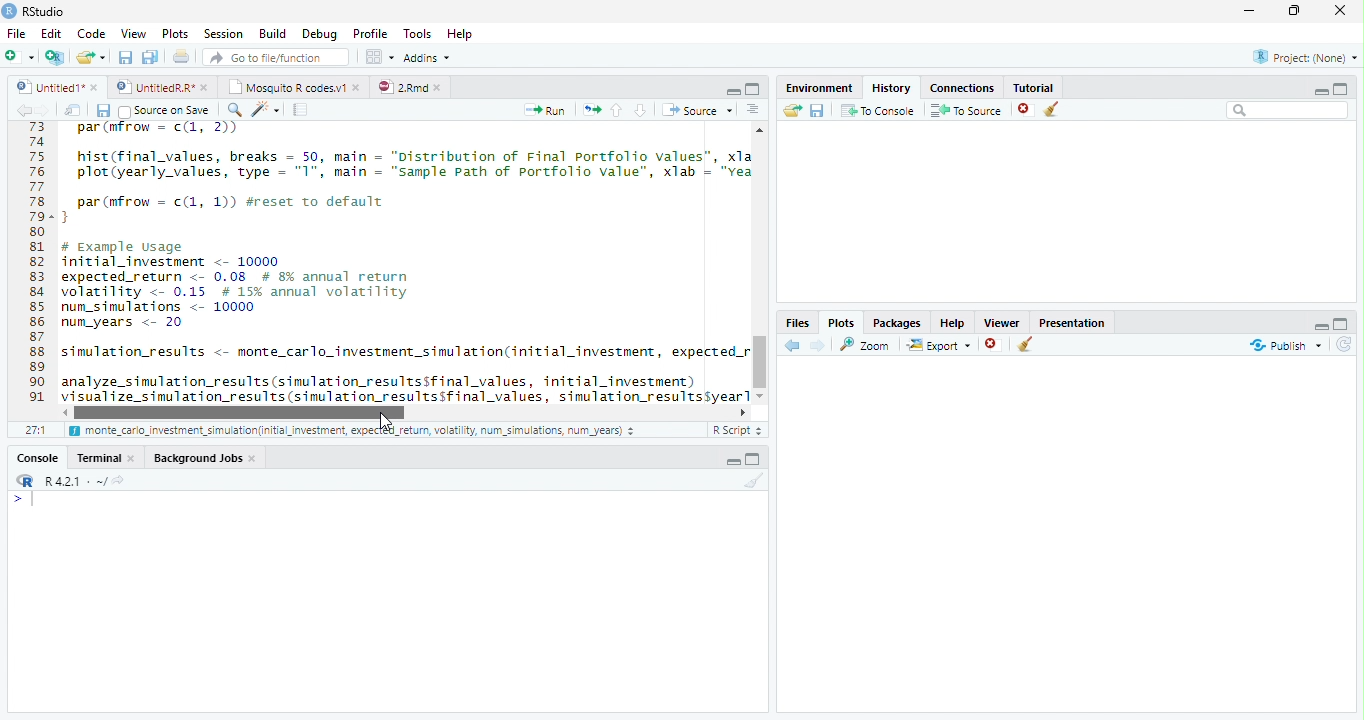 This screenshot has height=720, width=1364. Describe the element at coordinates (34, 11) in the screenshot. I see `RStudio` at that location.